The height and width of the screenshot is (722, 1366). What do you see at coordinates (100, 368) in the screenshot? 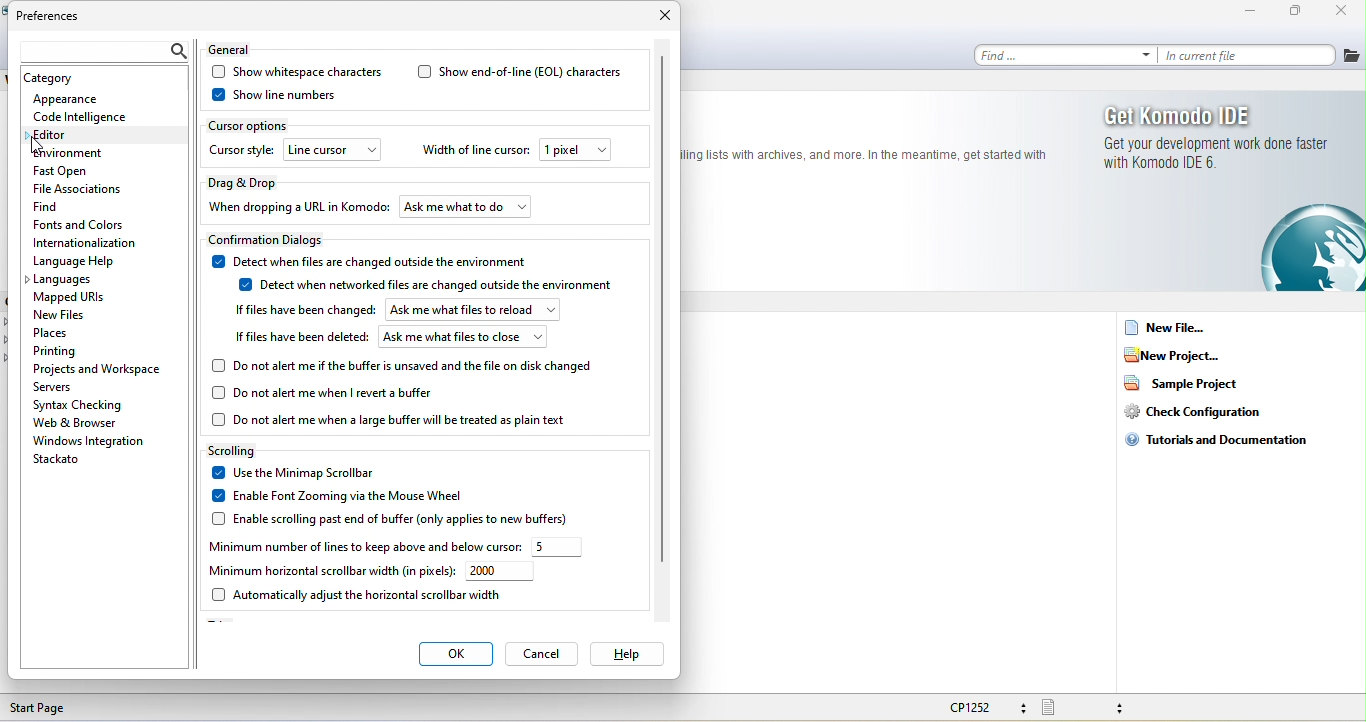
I see `projects and workspace` at bounding box center [100, 368].